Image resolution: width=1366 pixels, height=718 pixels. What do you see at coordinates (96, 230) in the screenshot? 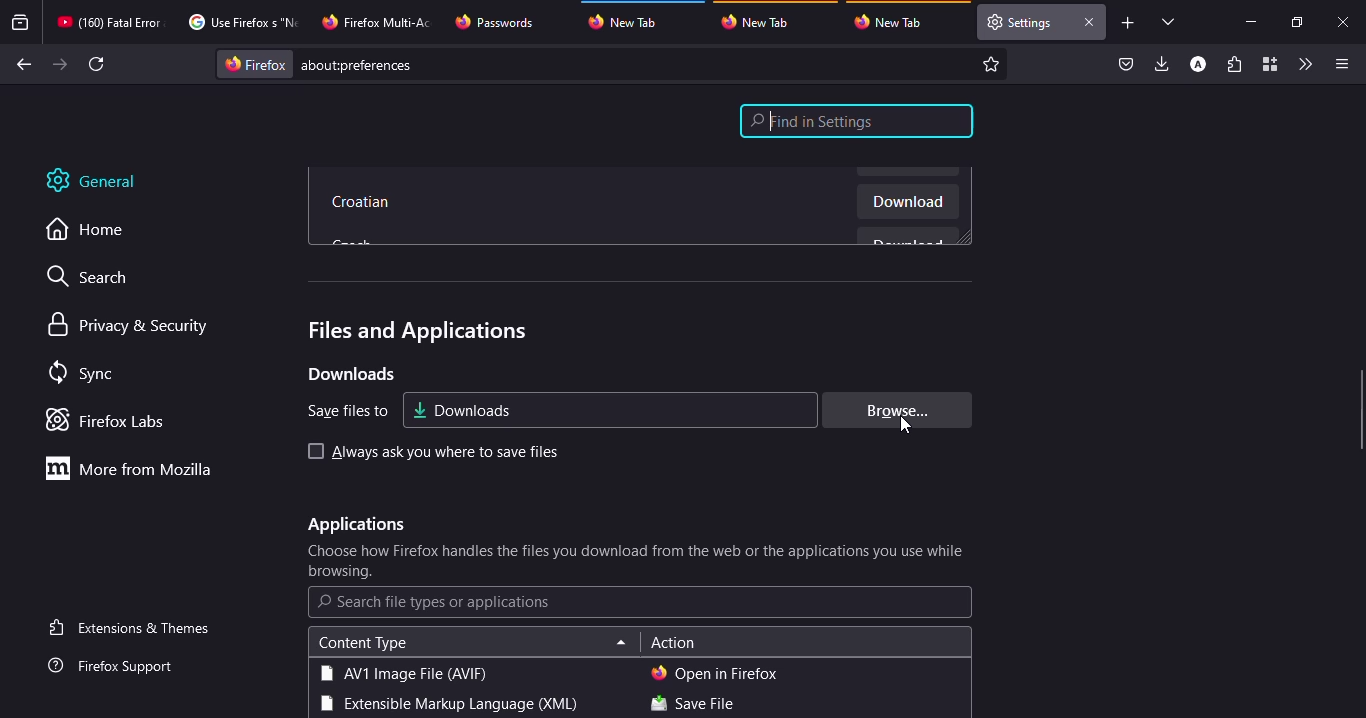
I see `home` at bounding box center [96, 230].